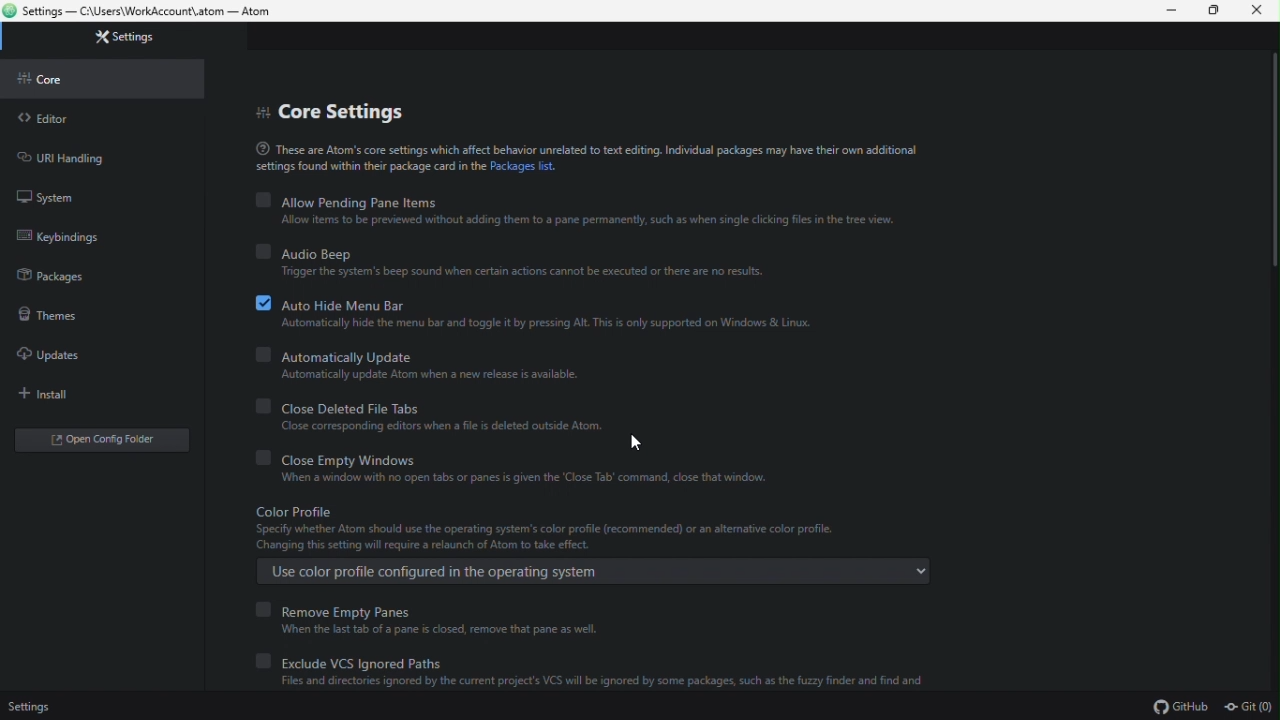 The height and width of the screenshot is (720, 1280). I want to click on system, so click(83, 194).